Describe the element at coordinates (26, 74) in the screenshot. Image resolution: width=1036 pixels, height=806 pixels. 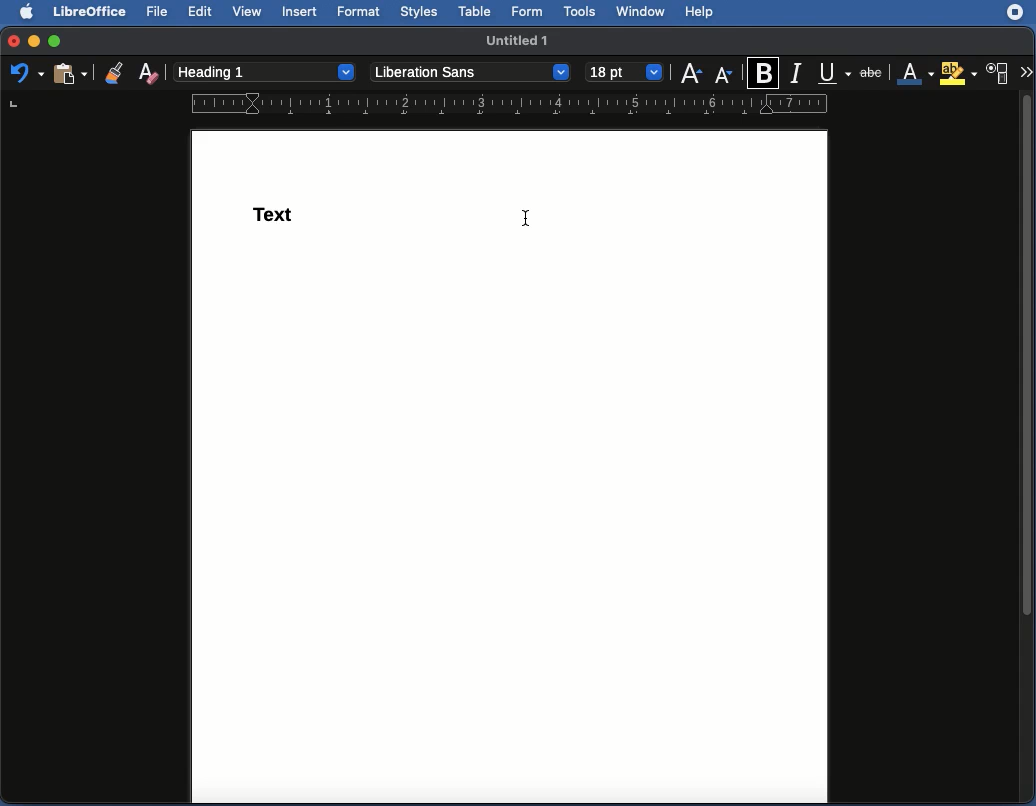
I see `Undo` at that location.